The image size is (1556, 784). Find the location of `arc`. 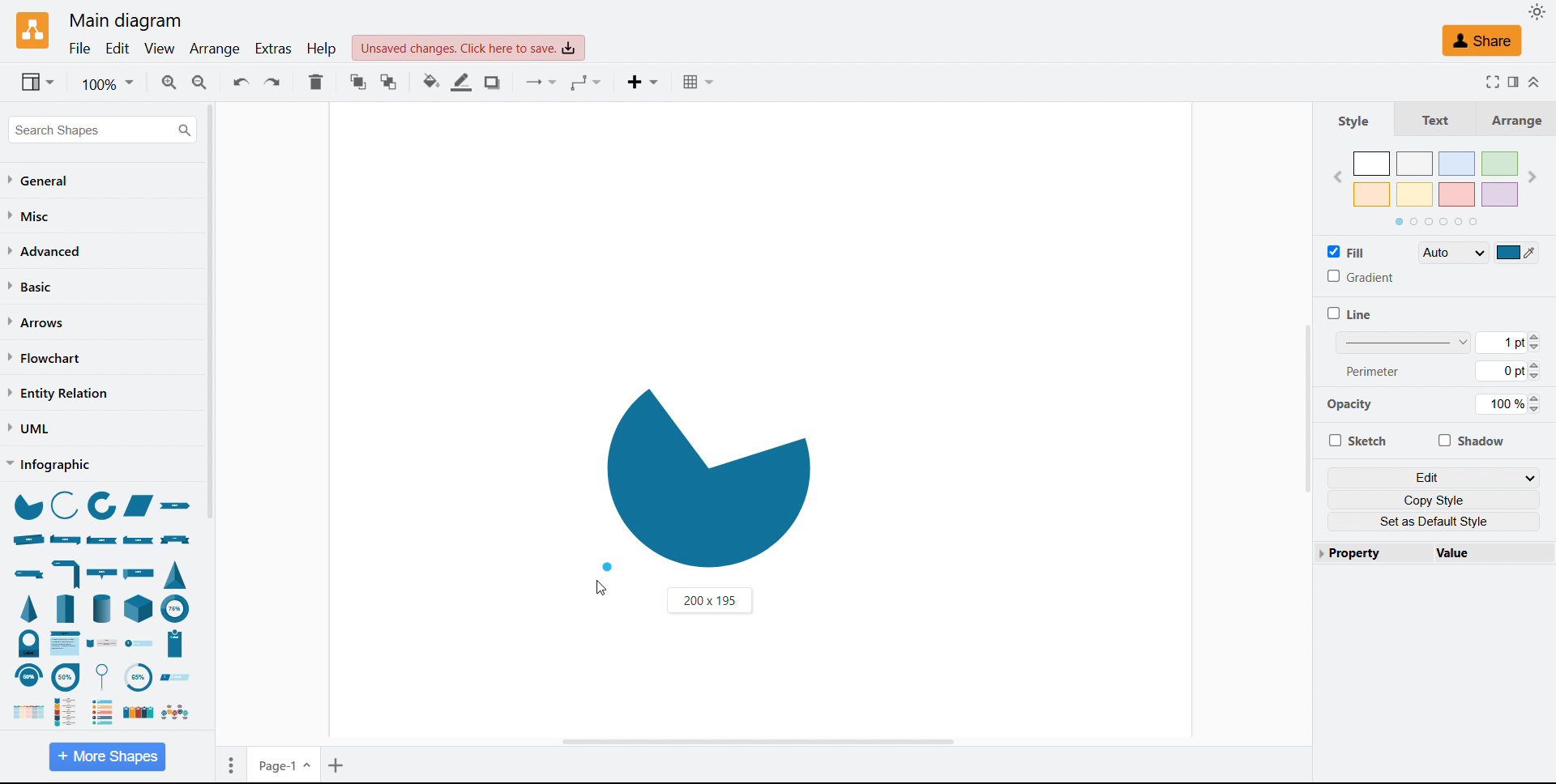

arc is located at coordinates (64, 504).